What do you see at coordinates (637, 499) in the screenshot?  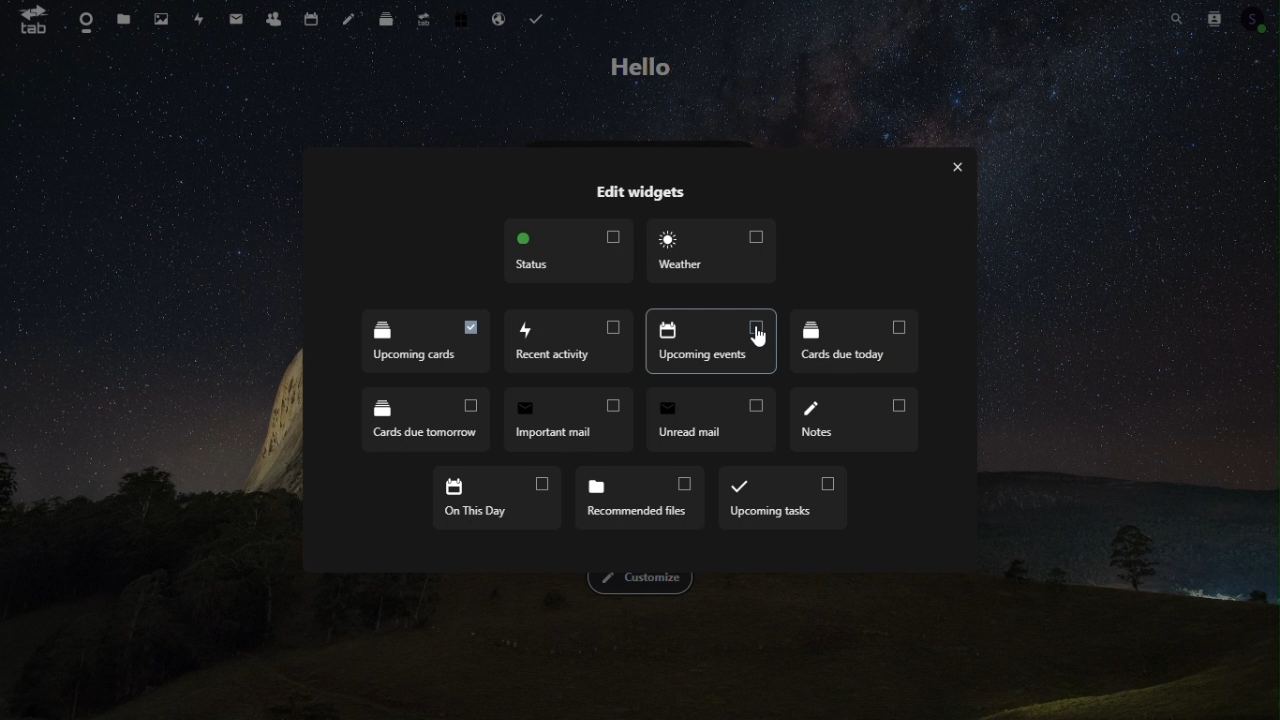 I see `Recommended files` at bounding box center [637, 499].